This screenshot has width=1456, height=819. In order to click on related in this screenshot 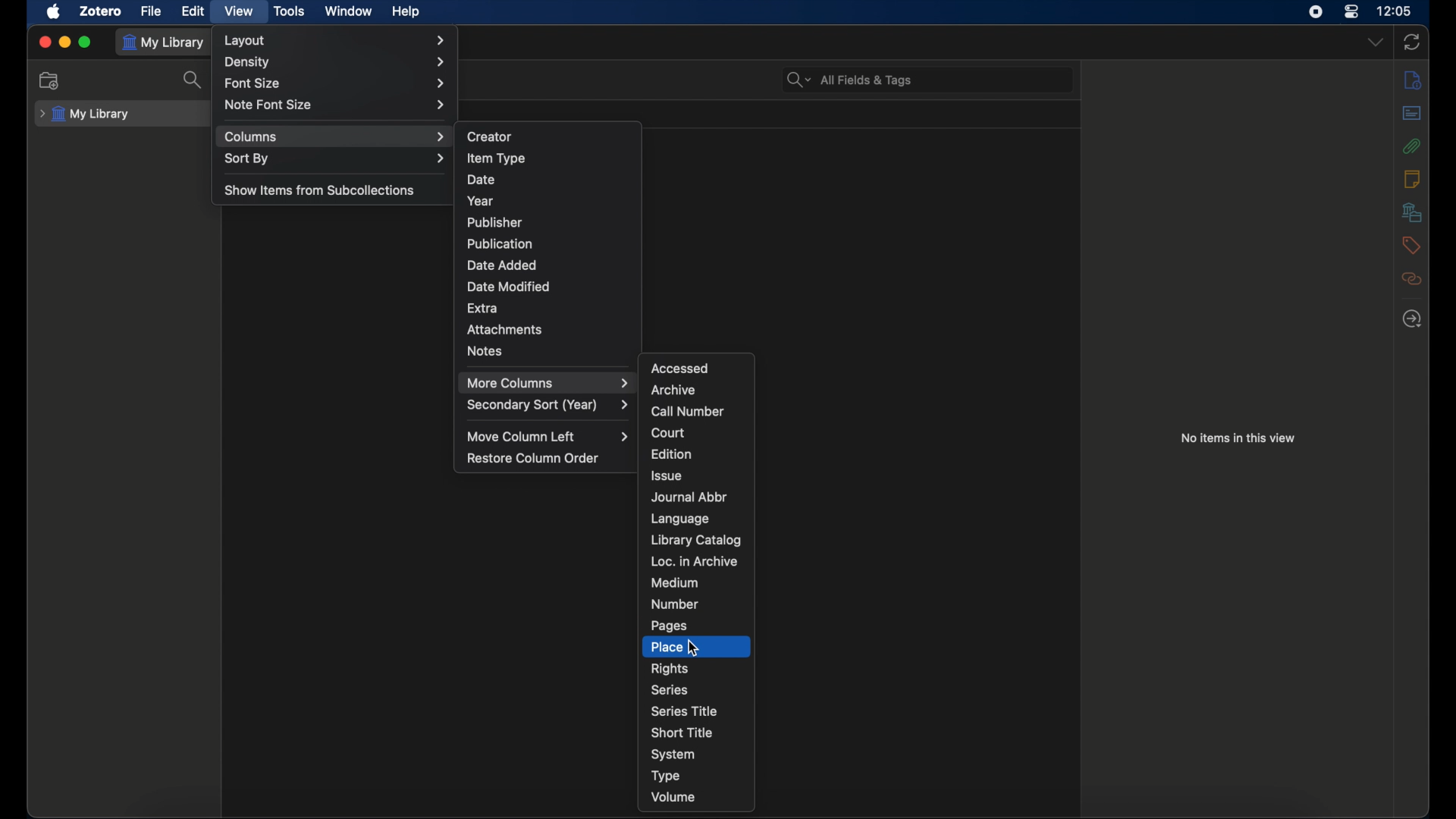, I will do `click(1412, 278)`.